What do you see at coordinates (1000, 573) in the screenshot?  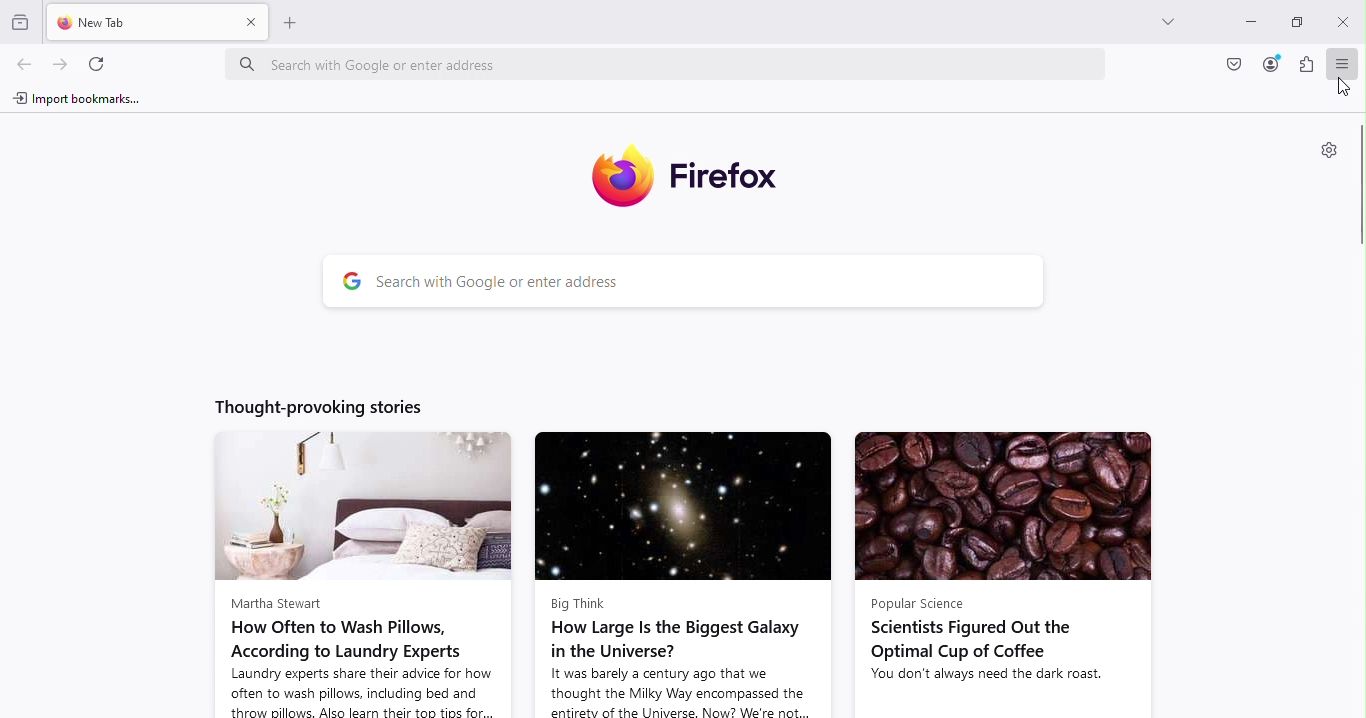 I see `news article from popular science` at bounding box center [1000, 573].